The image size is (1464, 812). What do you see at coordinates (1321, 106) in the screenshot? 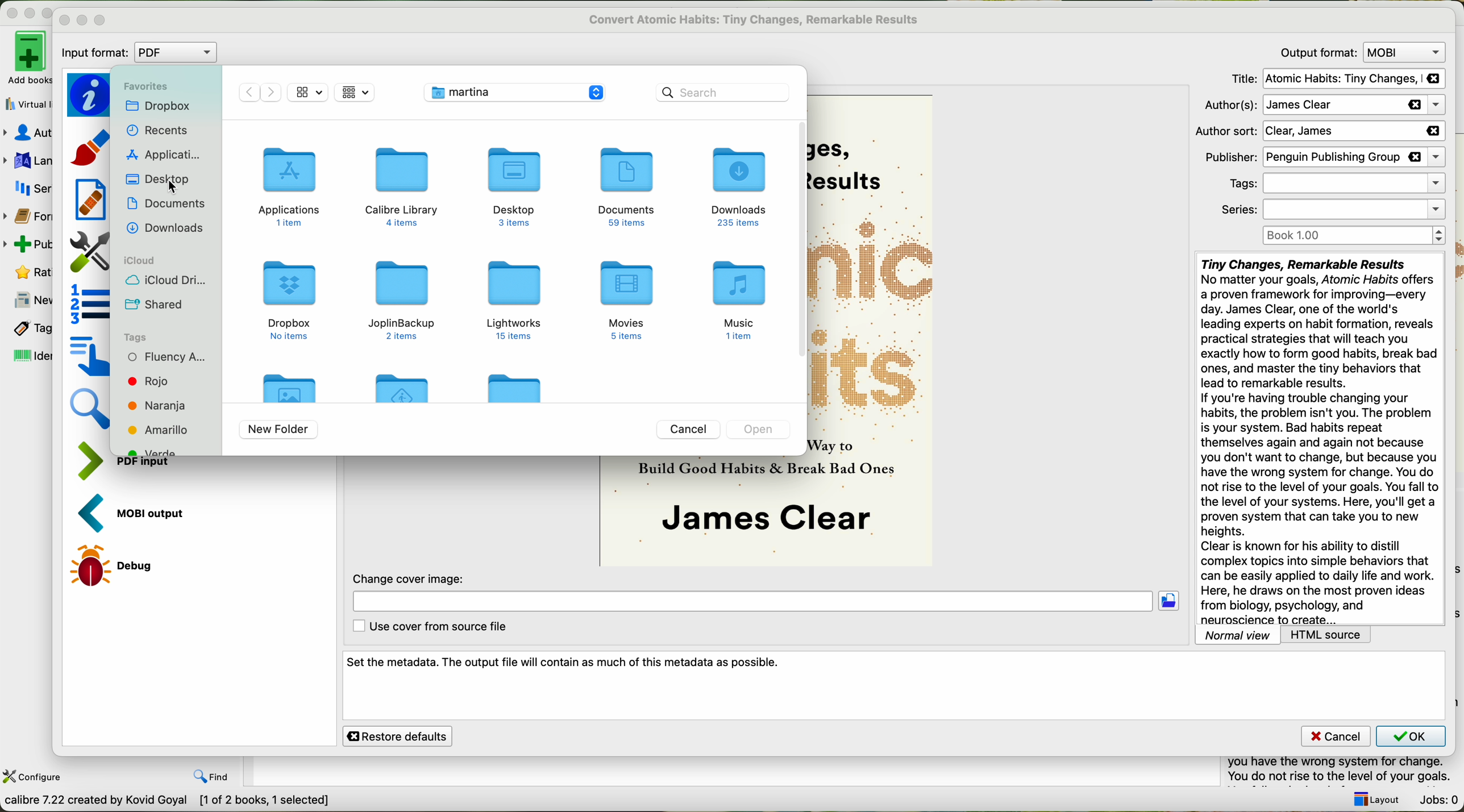
I see `authors` at bounding box center [1321, 106].